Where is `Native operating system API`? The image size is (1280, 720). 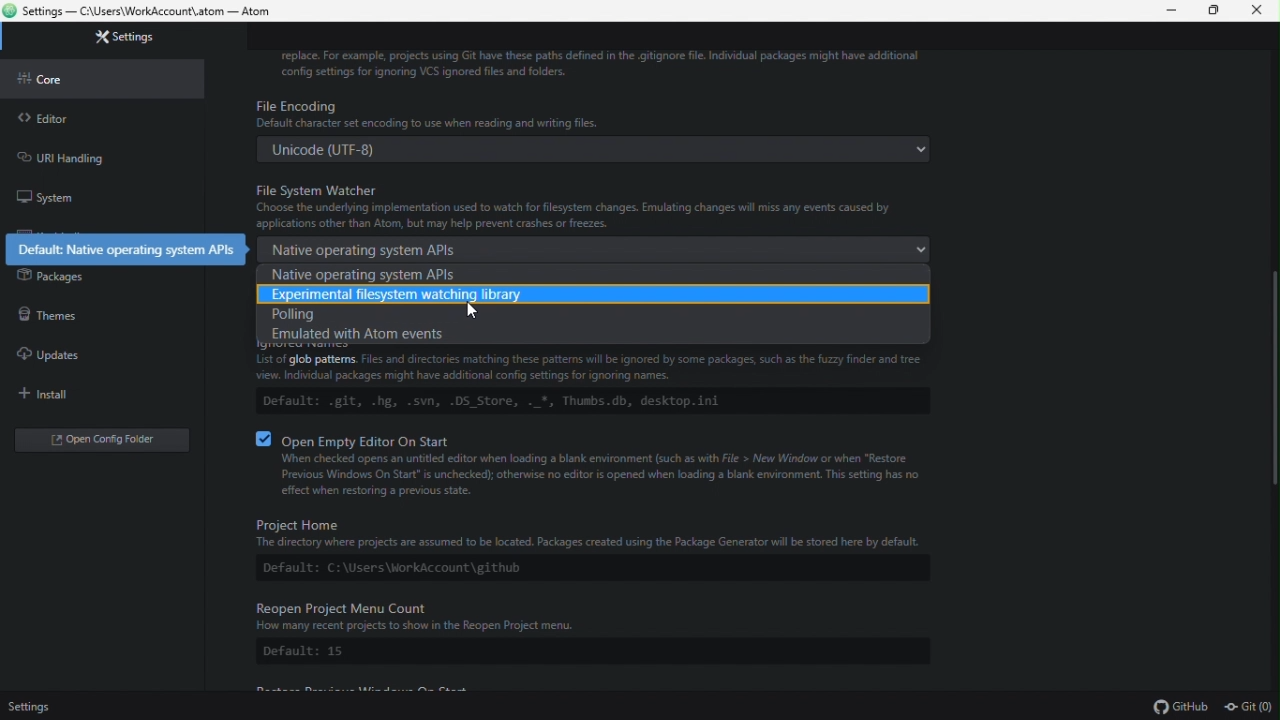
Native operating system API is located at coordinates (587, 274).